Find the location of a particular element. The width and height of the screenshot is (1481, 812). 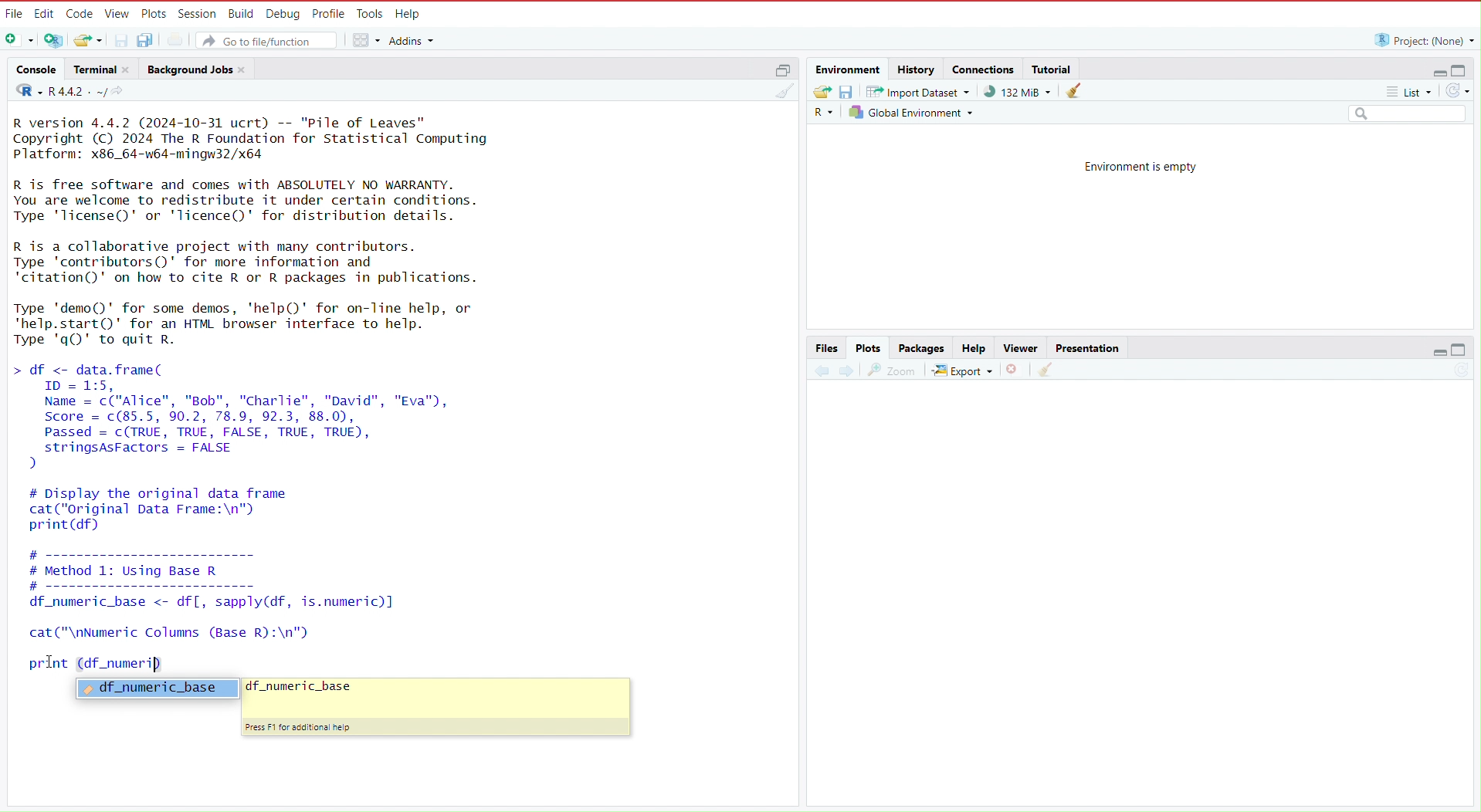

Profile is located at coordinates (329, 12).